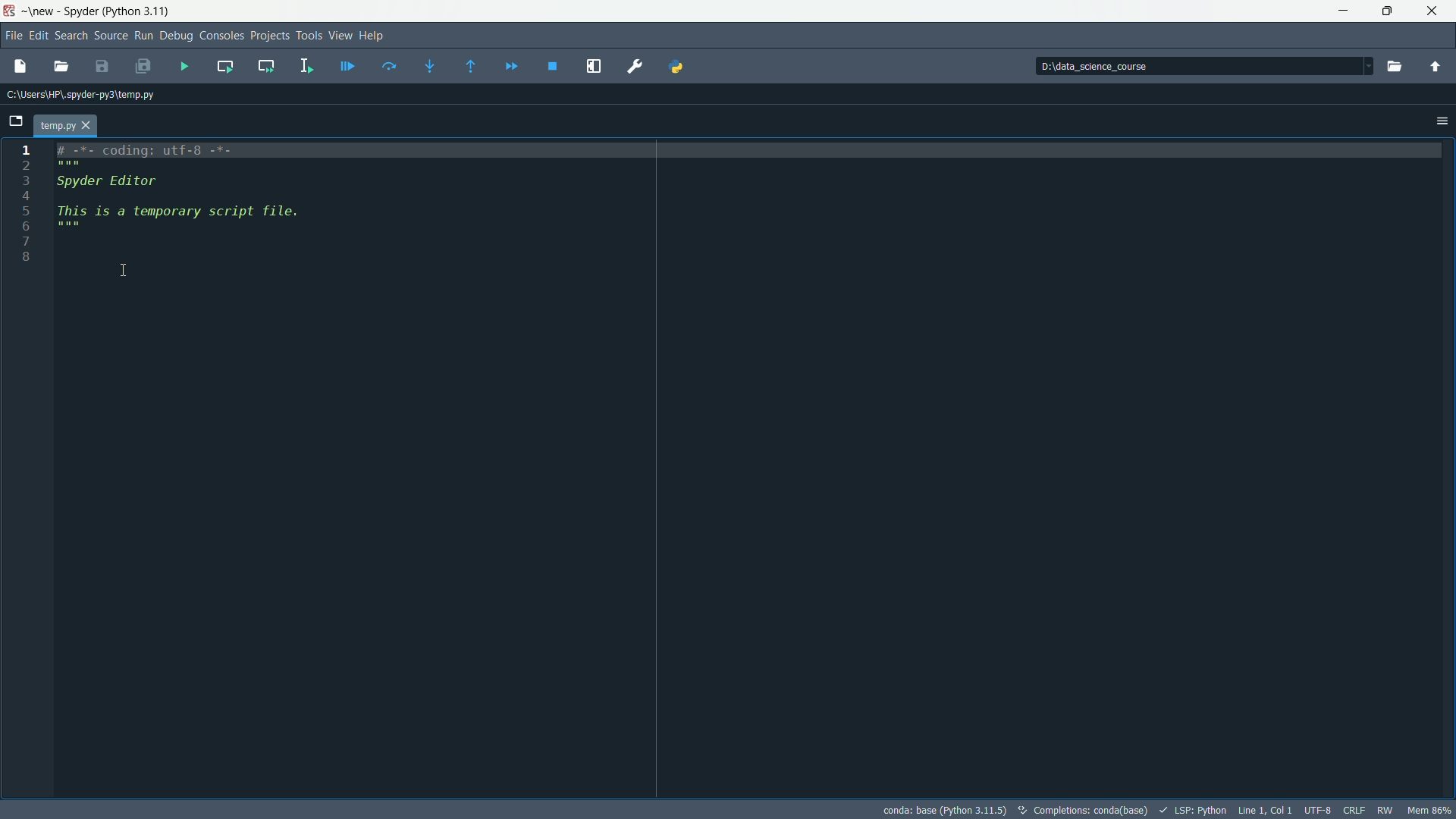  What do you see at coordinates (1434, 65) in the screenshot?
I see `chnage to parent directory` at bounding box center [1434, 65].